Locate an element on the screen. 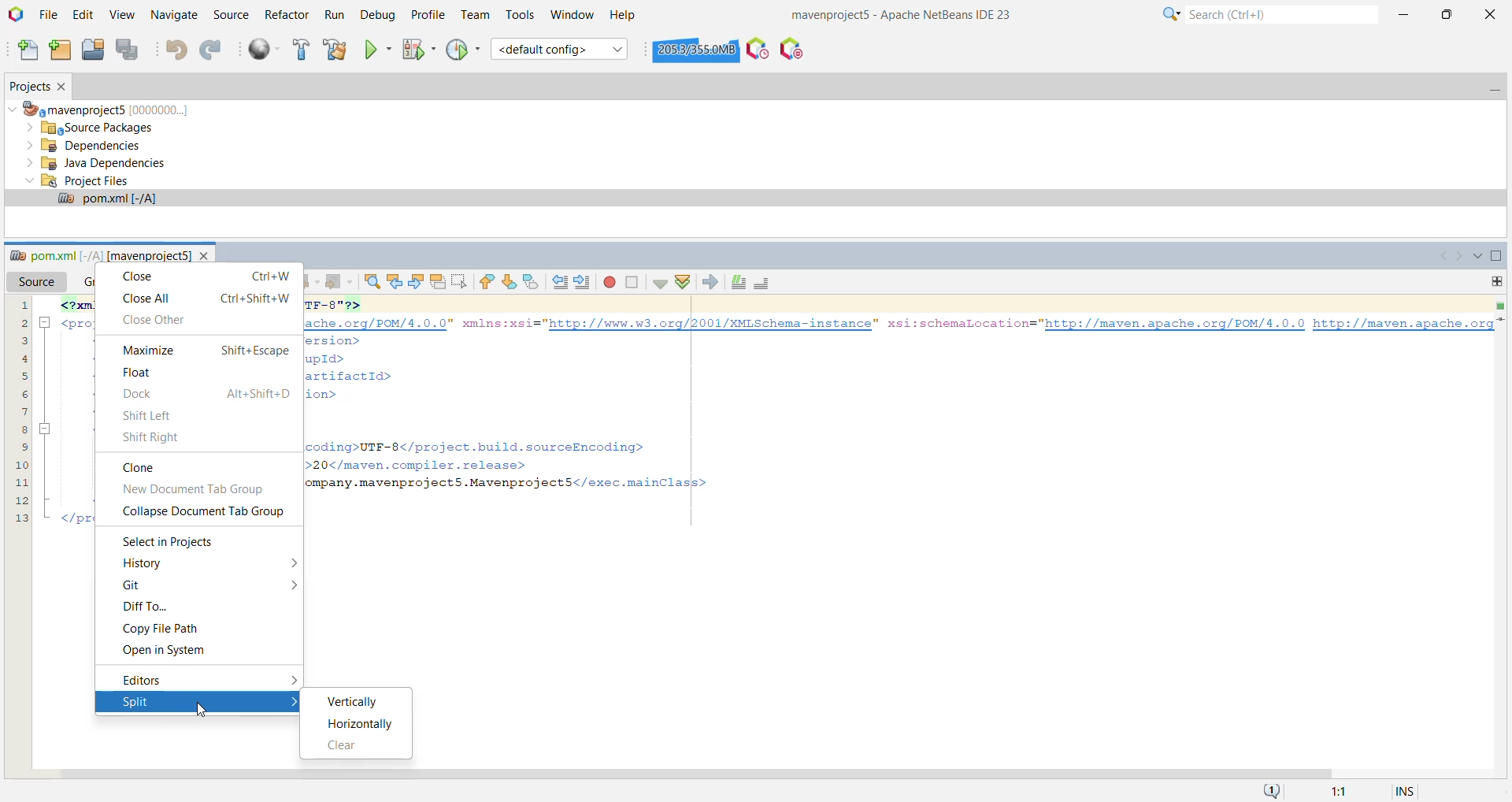  Save All is located at coordinates (130, 50).